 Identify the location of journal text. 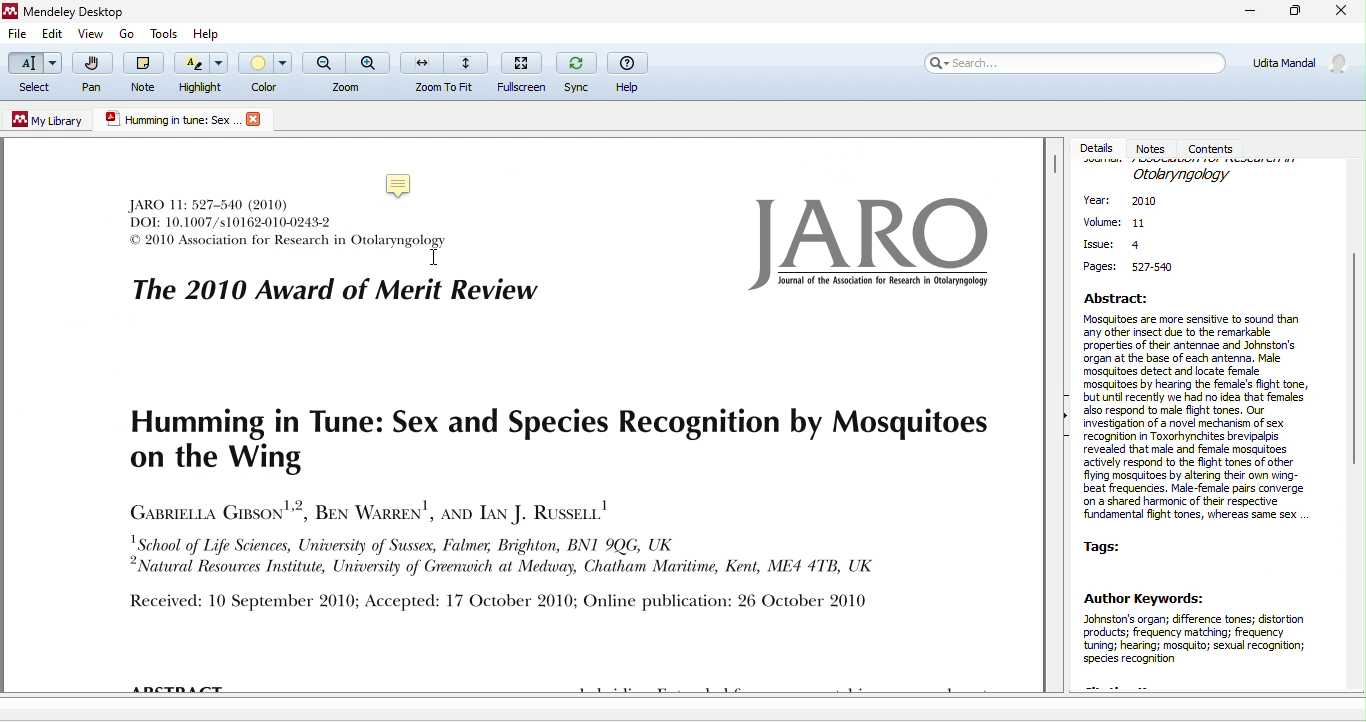
(549, 510).